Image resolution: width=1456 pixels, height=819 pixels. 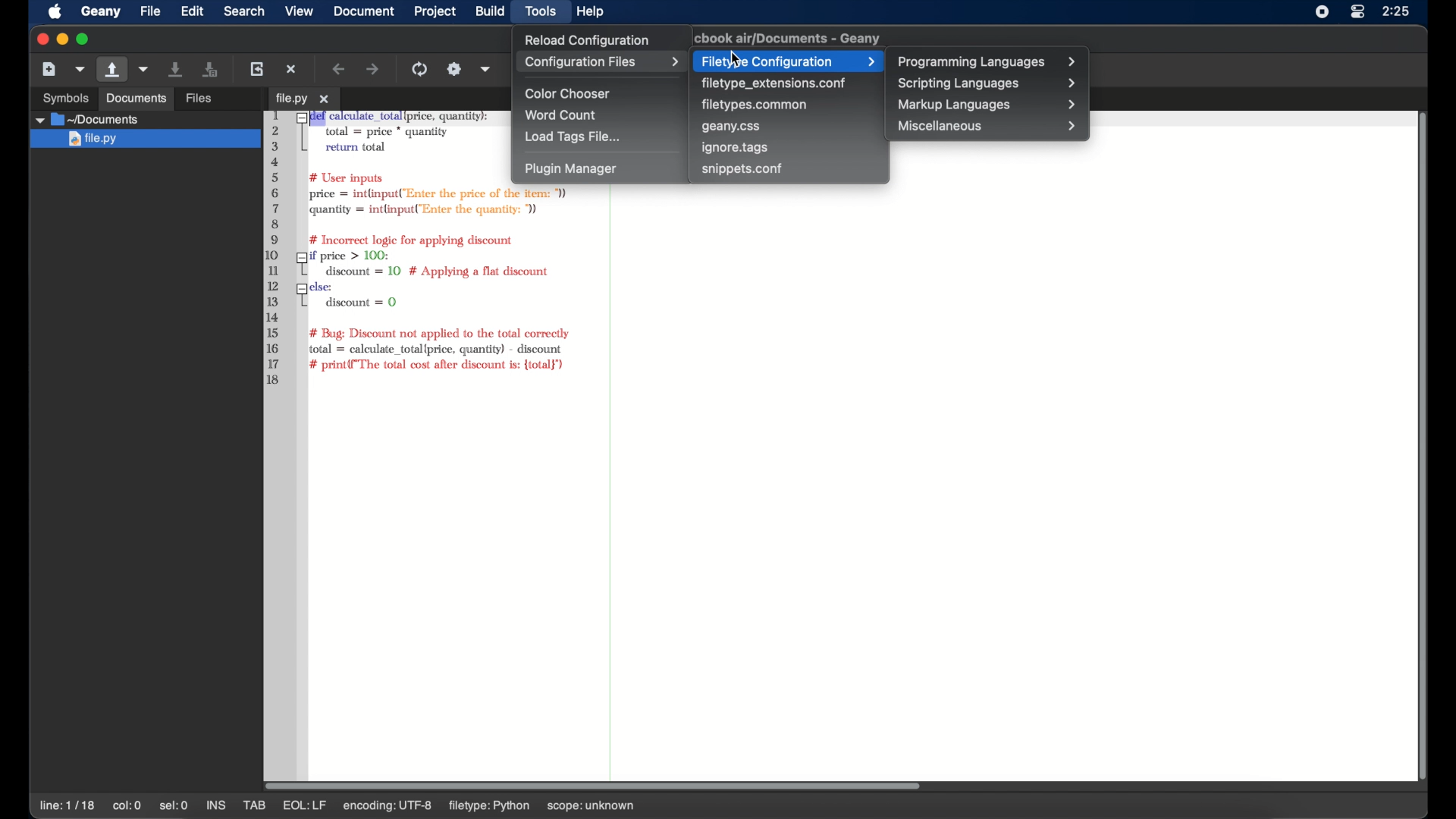 I want to click on scripting language, so click(x=988, y=84).